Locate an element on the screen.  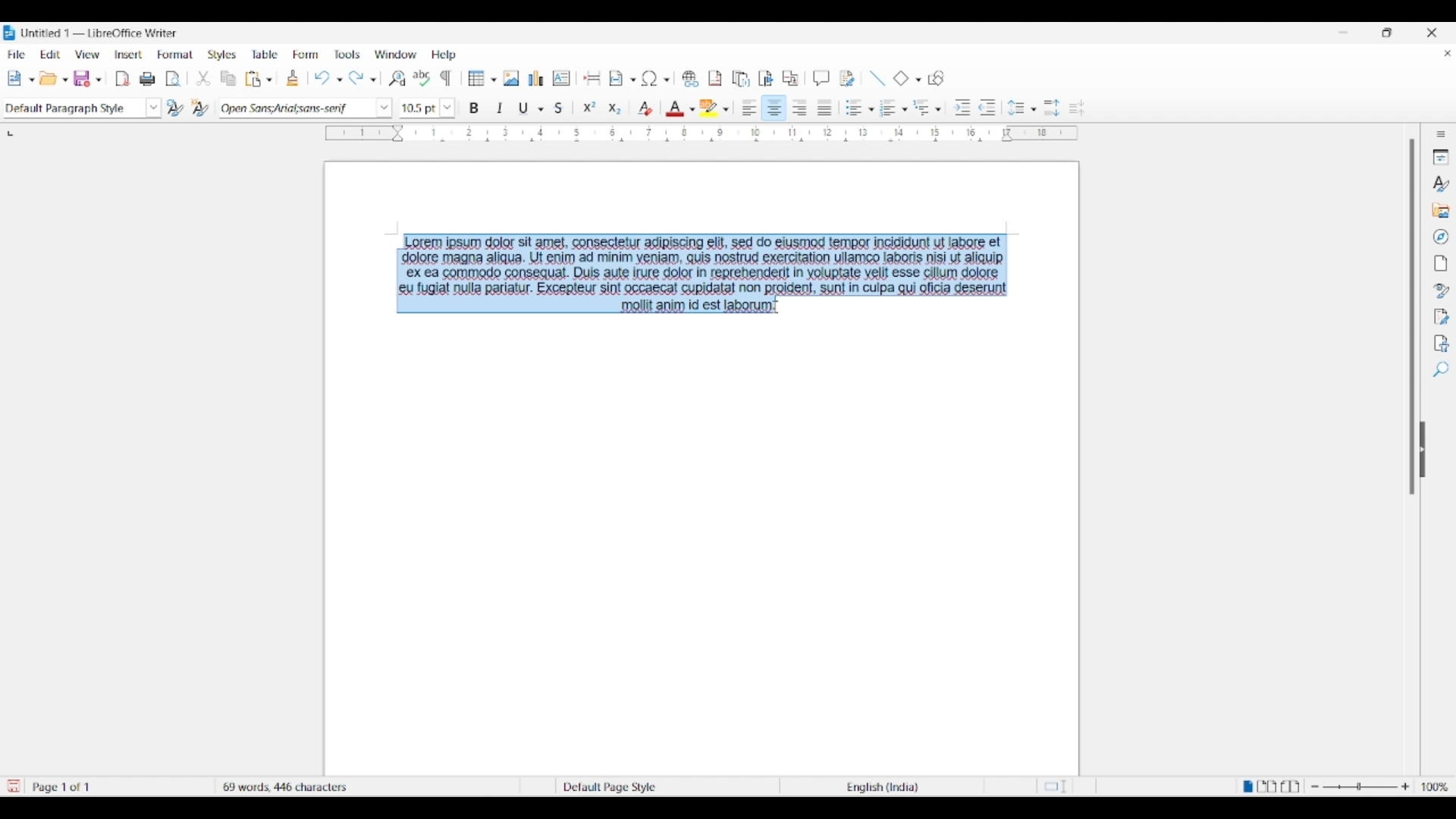
Insert table is located at coordinates (482, 78).